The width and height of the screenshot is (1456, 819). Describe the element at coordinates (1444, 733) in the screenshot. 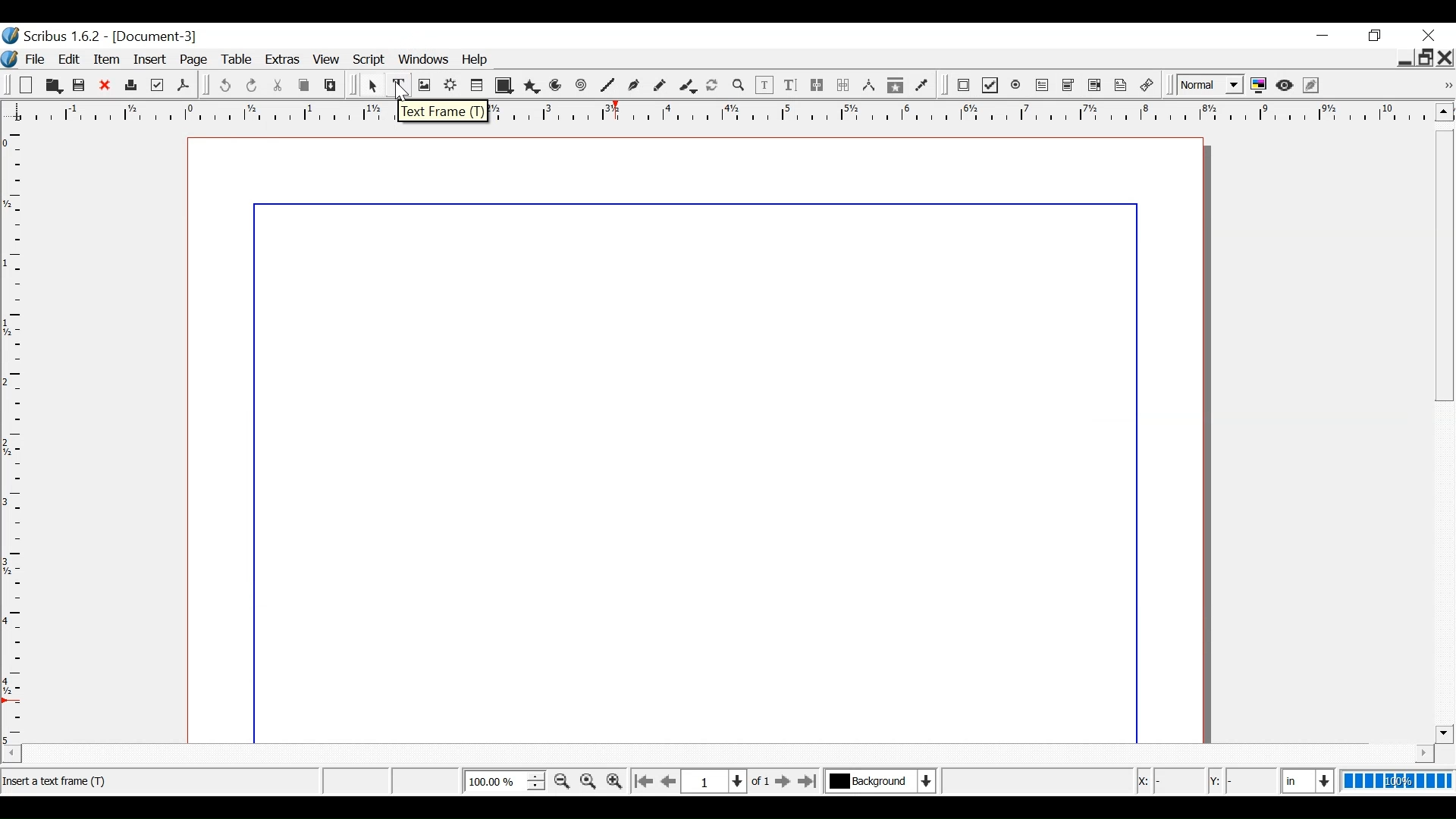

I see `Scroll down` at that location.